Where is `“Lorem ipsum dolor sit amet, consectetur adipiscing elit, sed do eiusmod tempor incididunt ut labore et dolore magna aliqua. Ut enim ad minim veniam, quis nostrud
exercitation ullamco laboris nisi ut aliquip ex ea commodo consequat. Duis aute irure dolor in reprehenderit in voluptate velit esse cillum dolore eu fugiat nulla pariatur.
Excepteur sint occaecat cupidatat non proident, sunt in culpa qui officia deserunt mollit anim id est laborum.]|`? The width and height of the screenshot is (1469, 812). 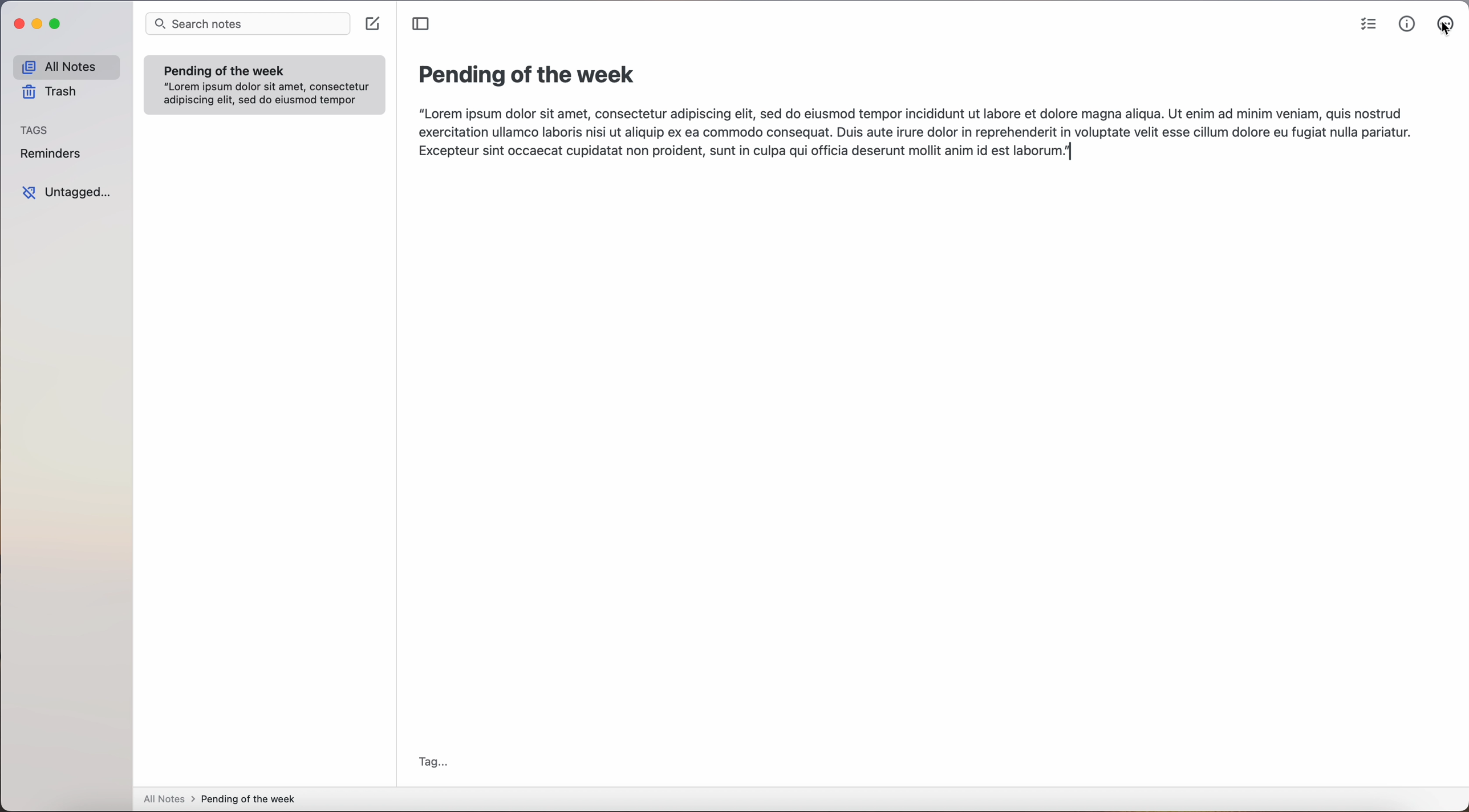 “Lorem ipsum dolor sit amet, consectetur adipiscing elit, sed do eiusmod tempor incididunt ut labore et dolore magna aliqua. Ut enim ad minim veniam, quis nostrud
exercitation ullamco laboris nisi ut aliquip ex ea commodo consequat. Duis aute irure dolor in reprehenderit in voluptate velit esse cillum dolore eu fugiat nulla pariatur.
Excepteur sint occaecat cupidatat non proident, sunt in culpa qui officia deserunt mollit anim id est laborum.]| is located at coordinates (916, 135).